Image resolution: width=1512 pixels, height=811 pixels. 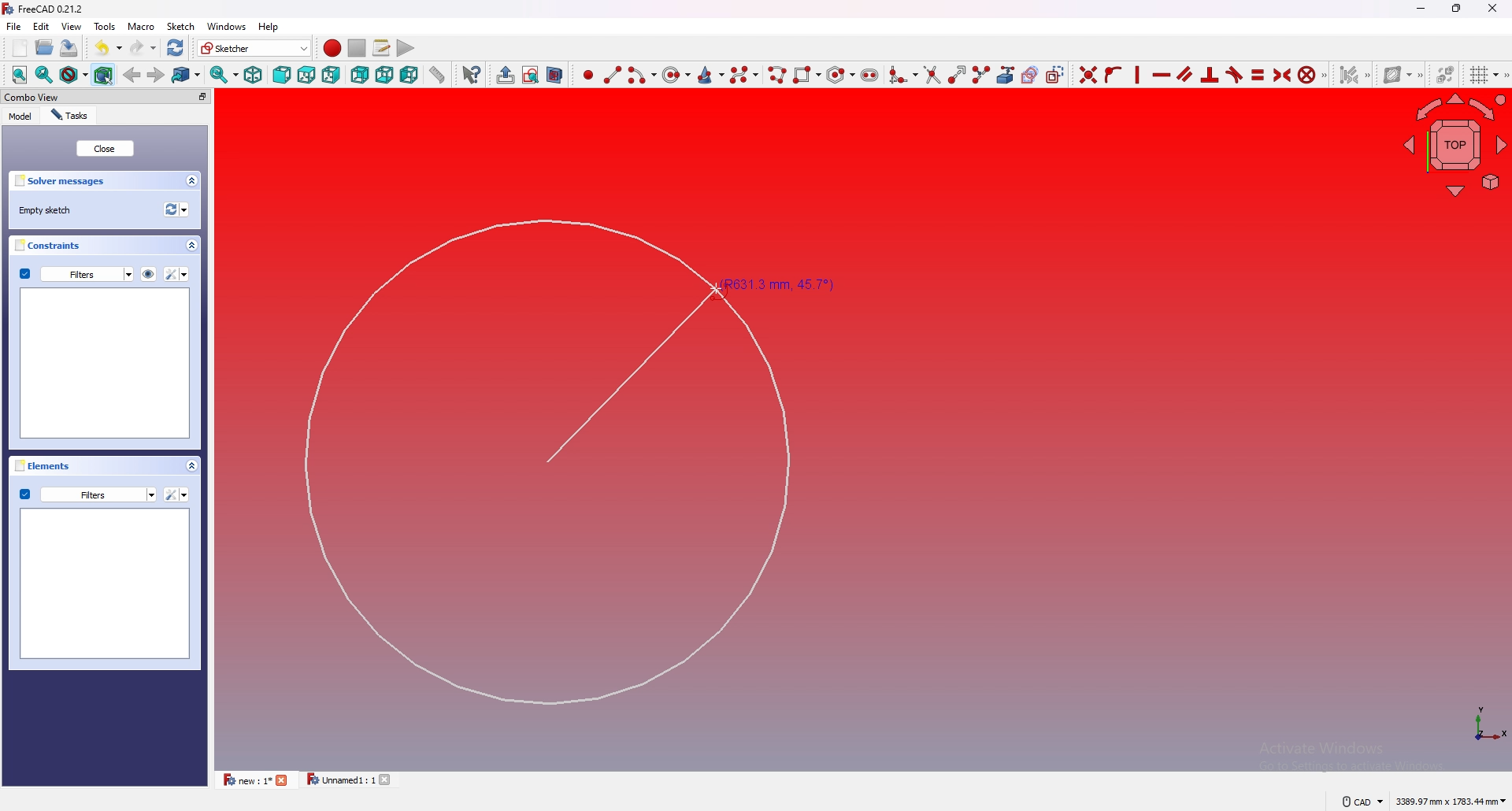 I want to click on help, so click(x=269, y=27).